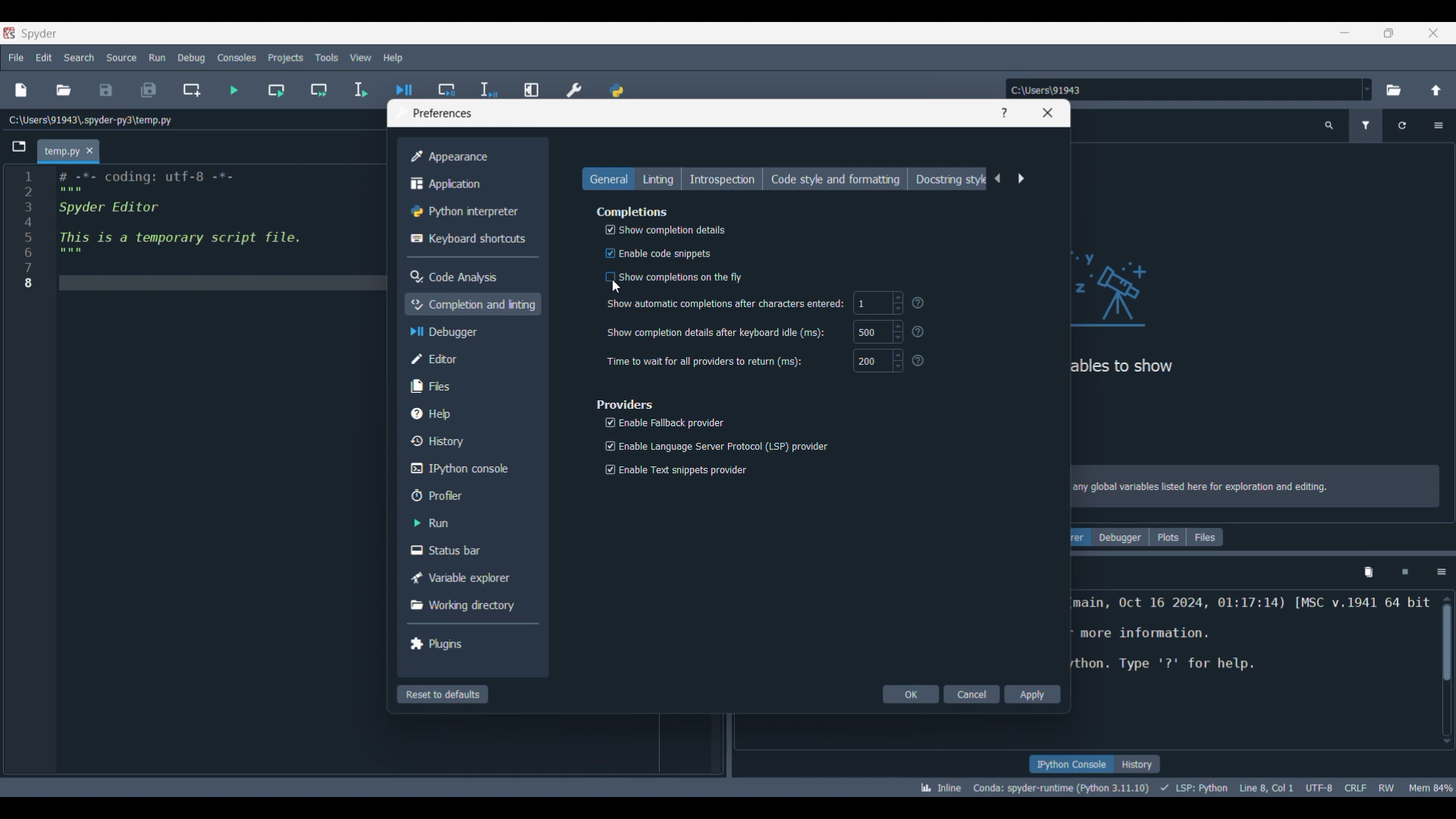  I want to click on View menu, so click(361, 58).